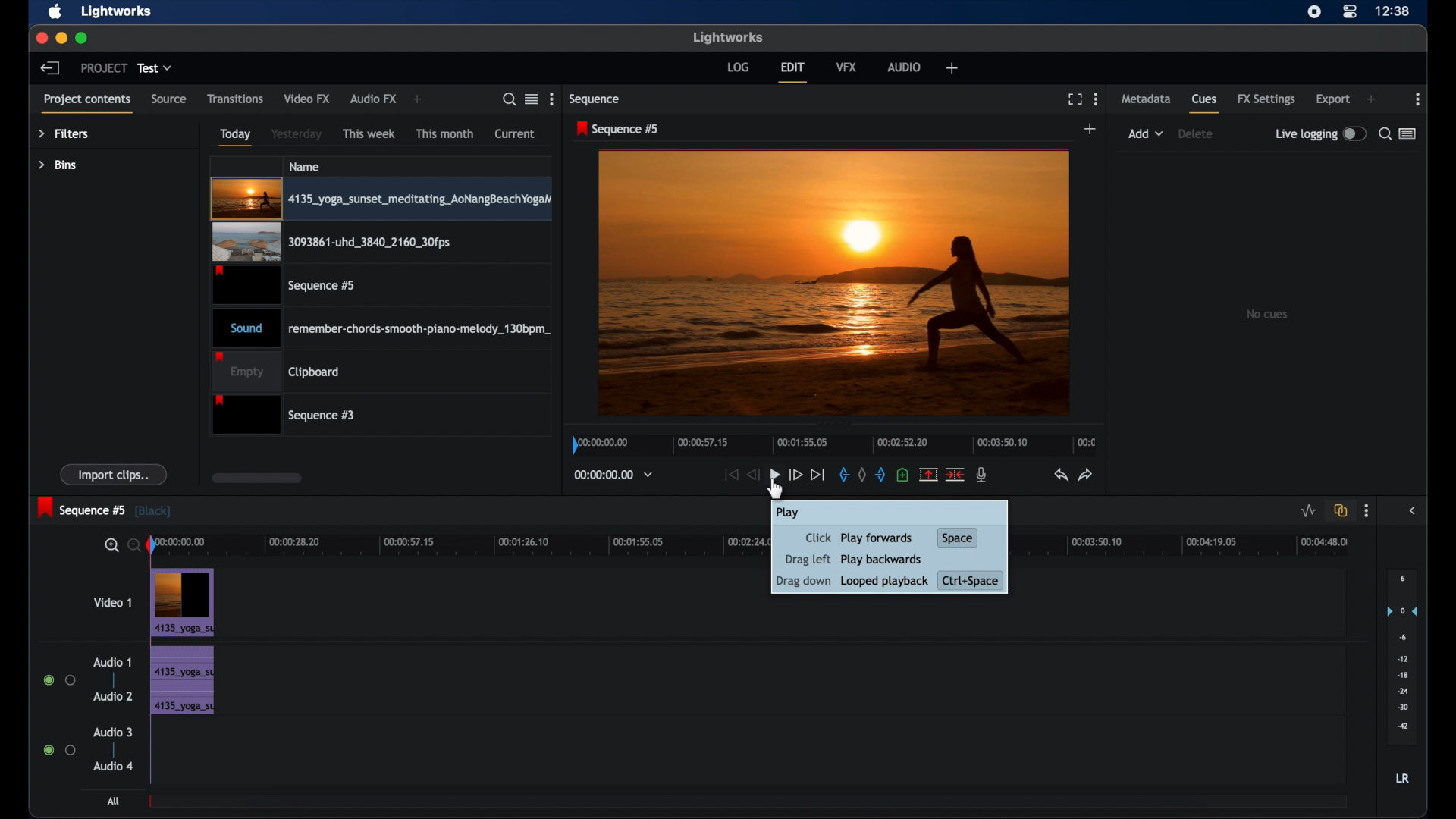  Describe the element at coordinates (1367, 511) in the screenshot. I see `more options` at that location.